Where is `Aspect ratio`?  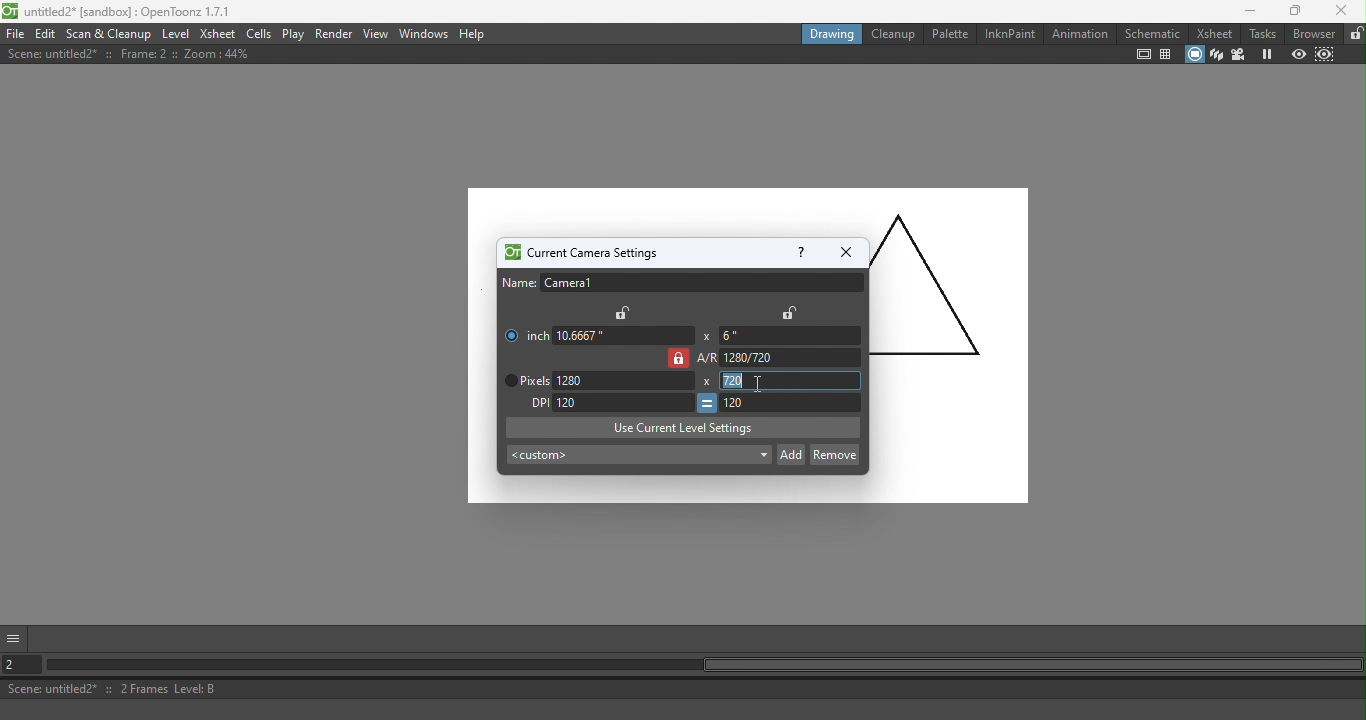
Aspect ratio is located at coordinates (780, 358).